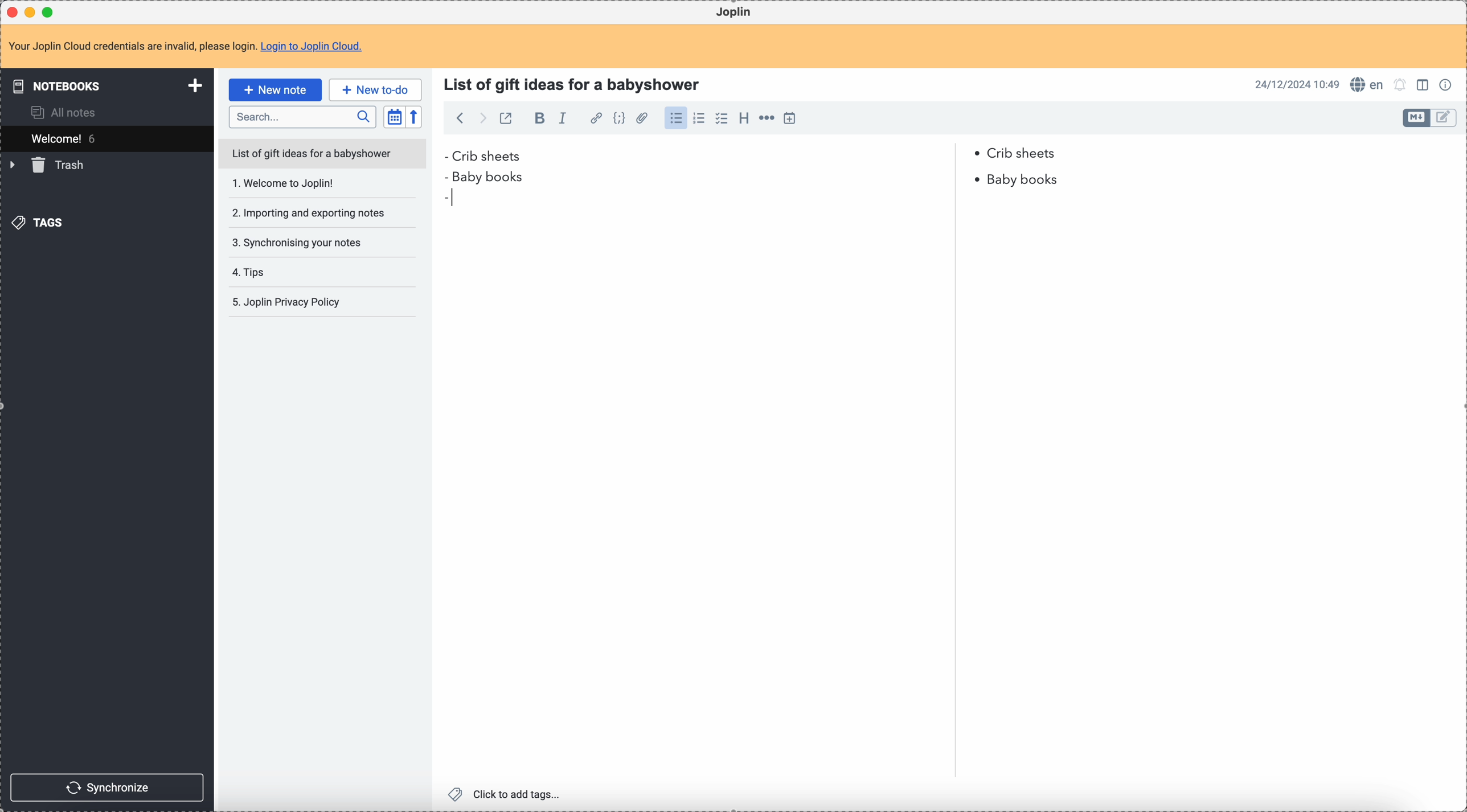 The image size is (1467, 812). What do you see at coordinates (483, 118) in the screenshot?
I see `foward` at bounding box center [483, 118].